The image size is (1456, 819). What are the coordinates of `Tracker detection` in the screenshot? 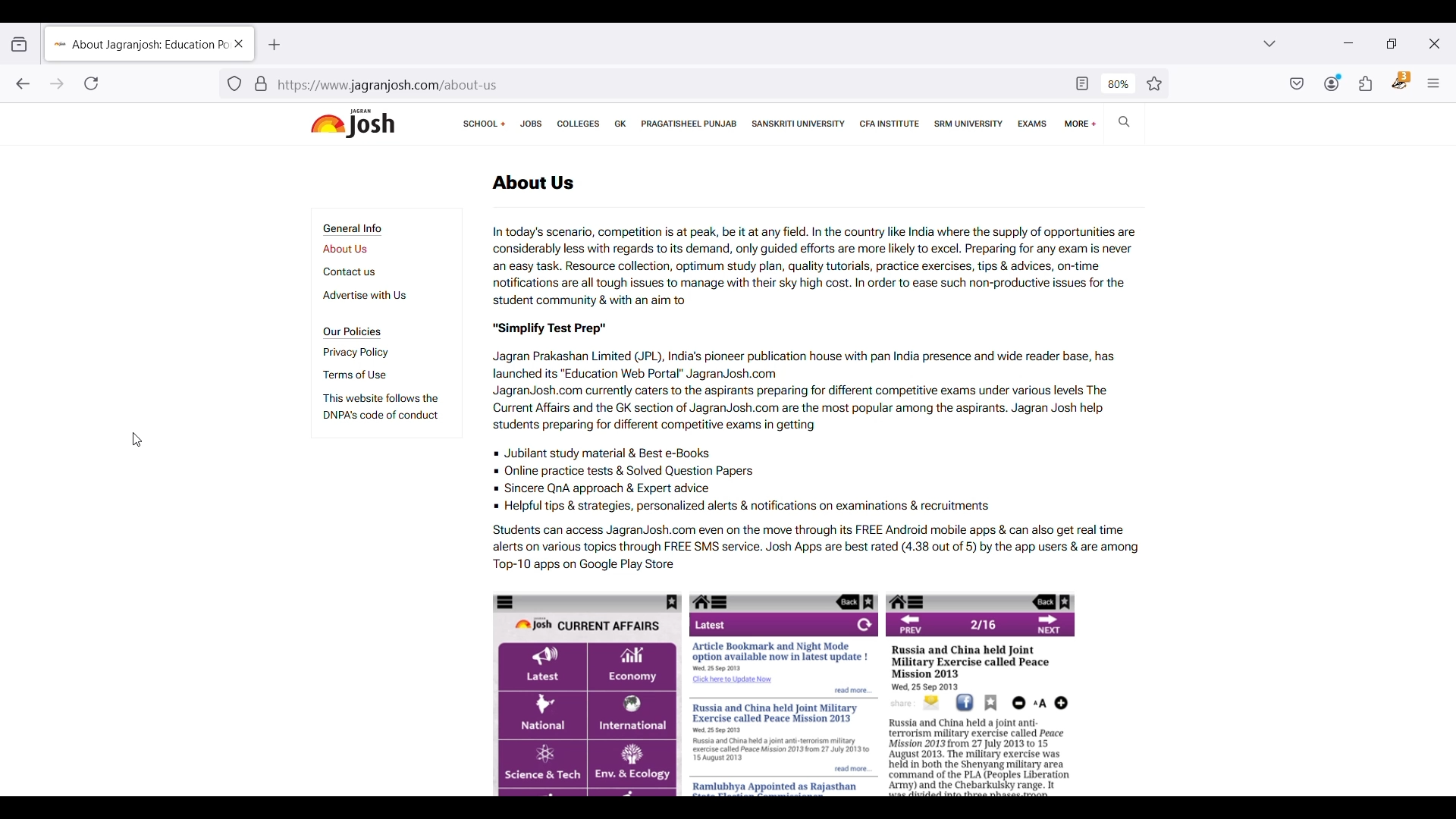 It's located at (234, 83).